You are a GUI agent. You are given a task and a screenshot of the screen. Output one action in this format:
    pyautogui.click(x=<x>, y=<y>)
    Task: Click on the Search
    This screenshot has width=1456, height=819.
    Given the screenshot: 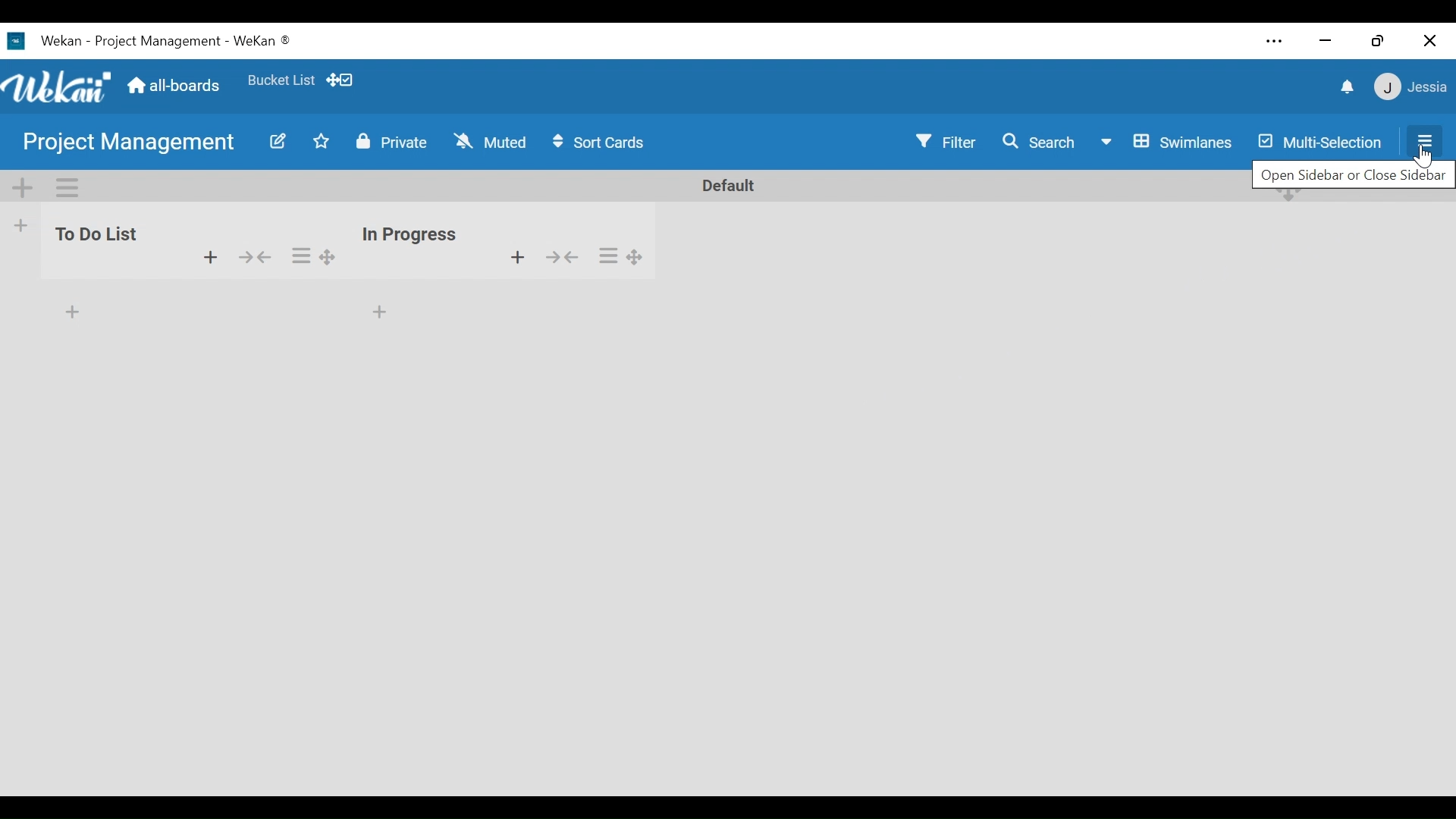 What is the action you would take?
    pyautogui.click(x=1044, y=142)
    